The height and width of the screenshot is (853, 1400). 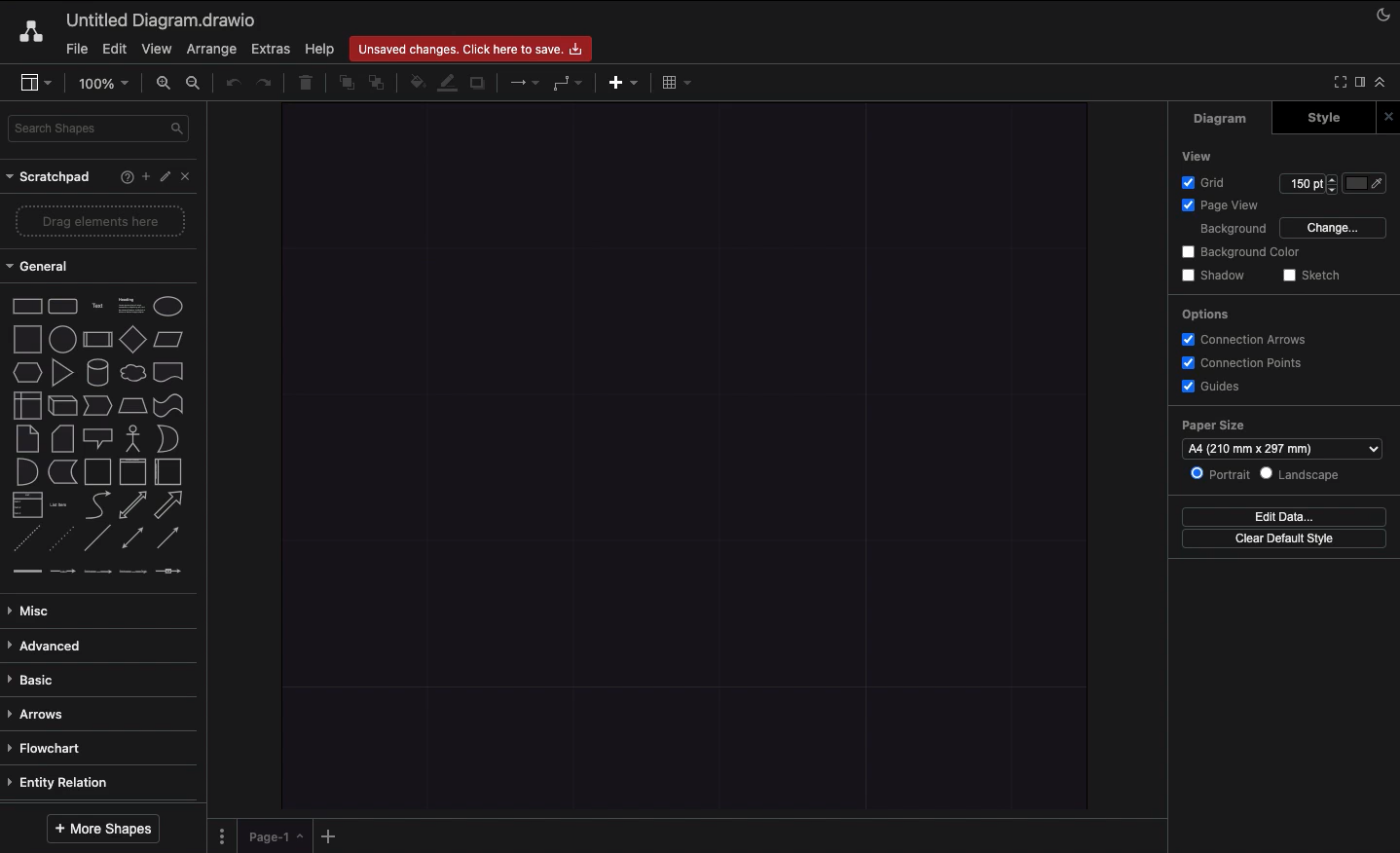 I want to click on Entity relation, so click(x=66, y=779).